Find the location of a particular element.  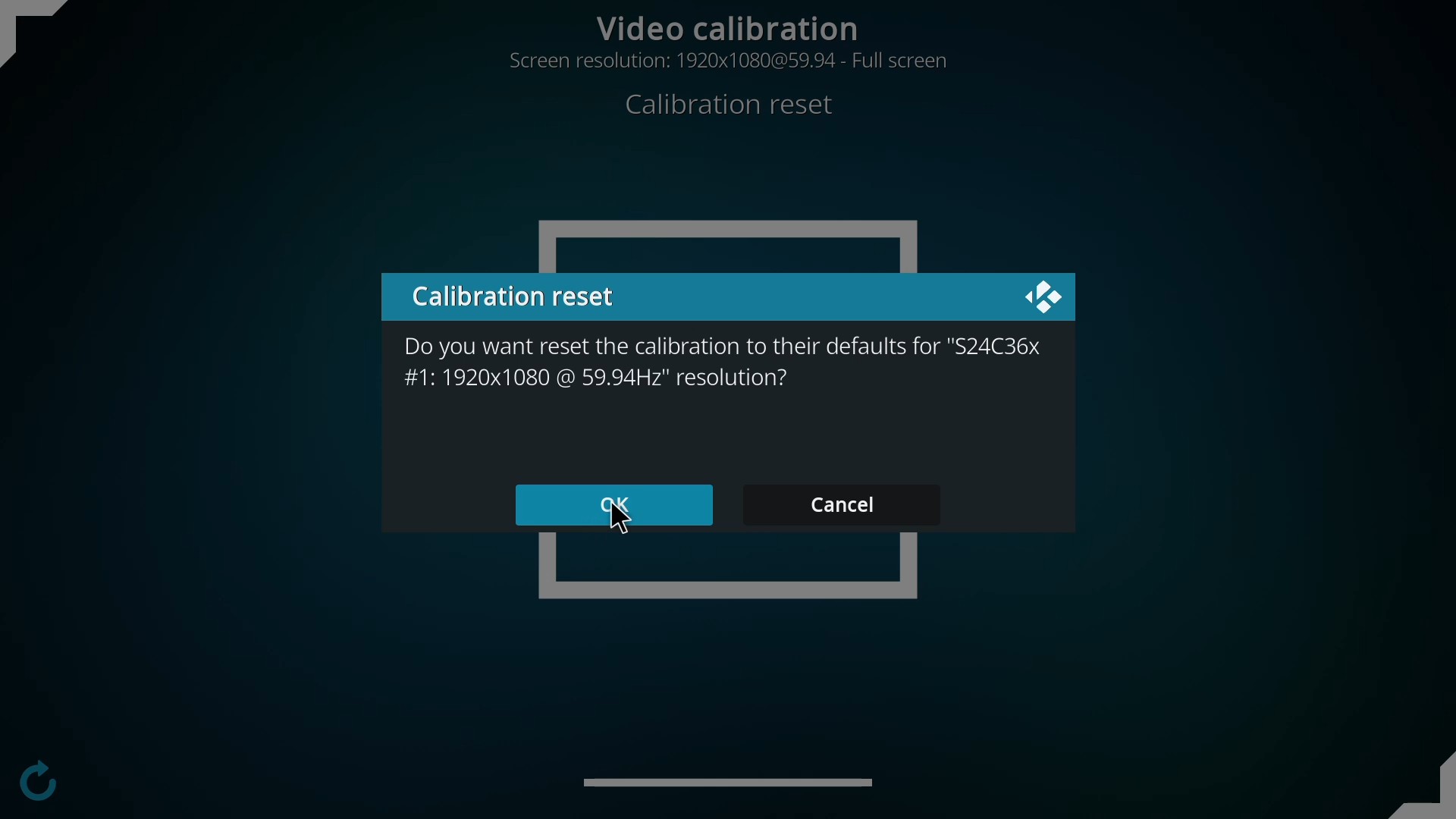

info is located at coordinates (724, 362).